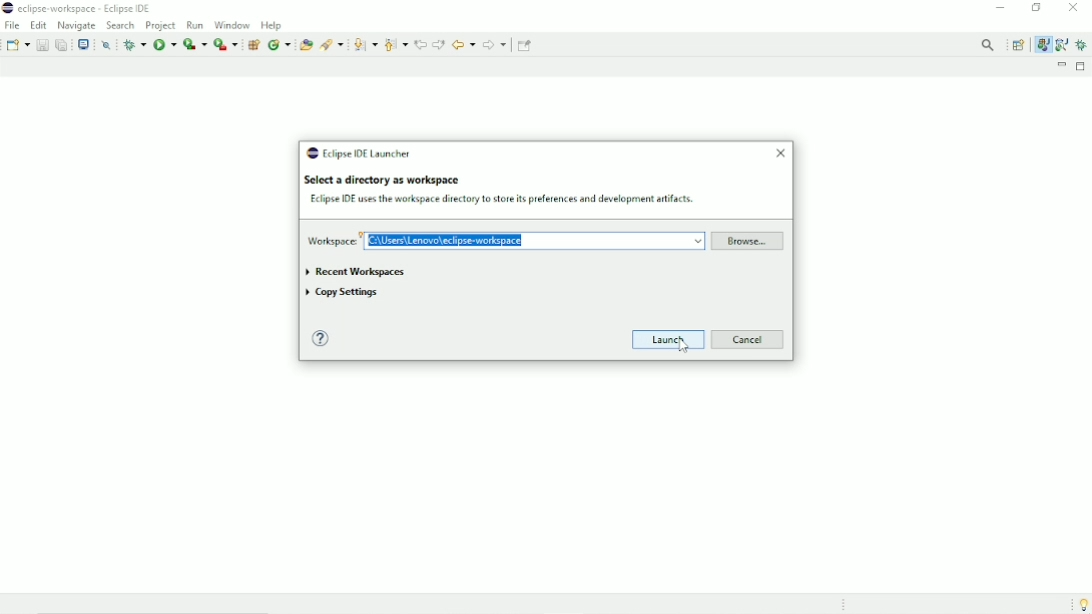  What do you see at coordinates (395, 44) in the screenshot?
I see `Previous annotation` at bounding box center [395, 44].